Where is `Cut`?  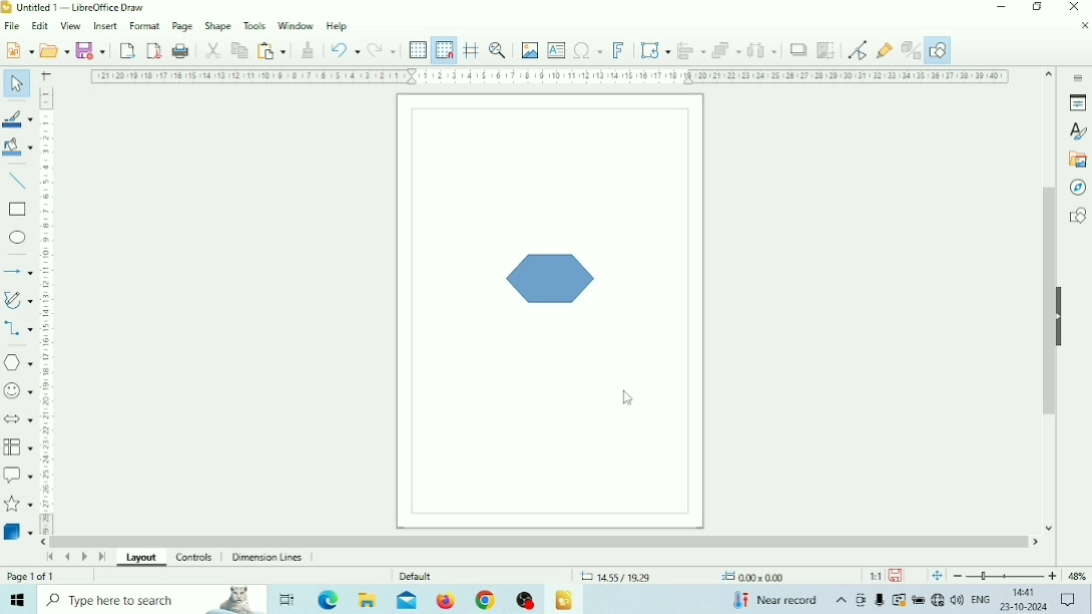 Cut is located at coordinates (213, 51).